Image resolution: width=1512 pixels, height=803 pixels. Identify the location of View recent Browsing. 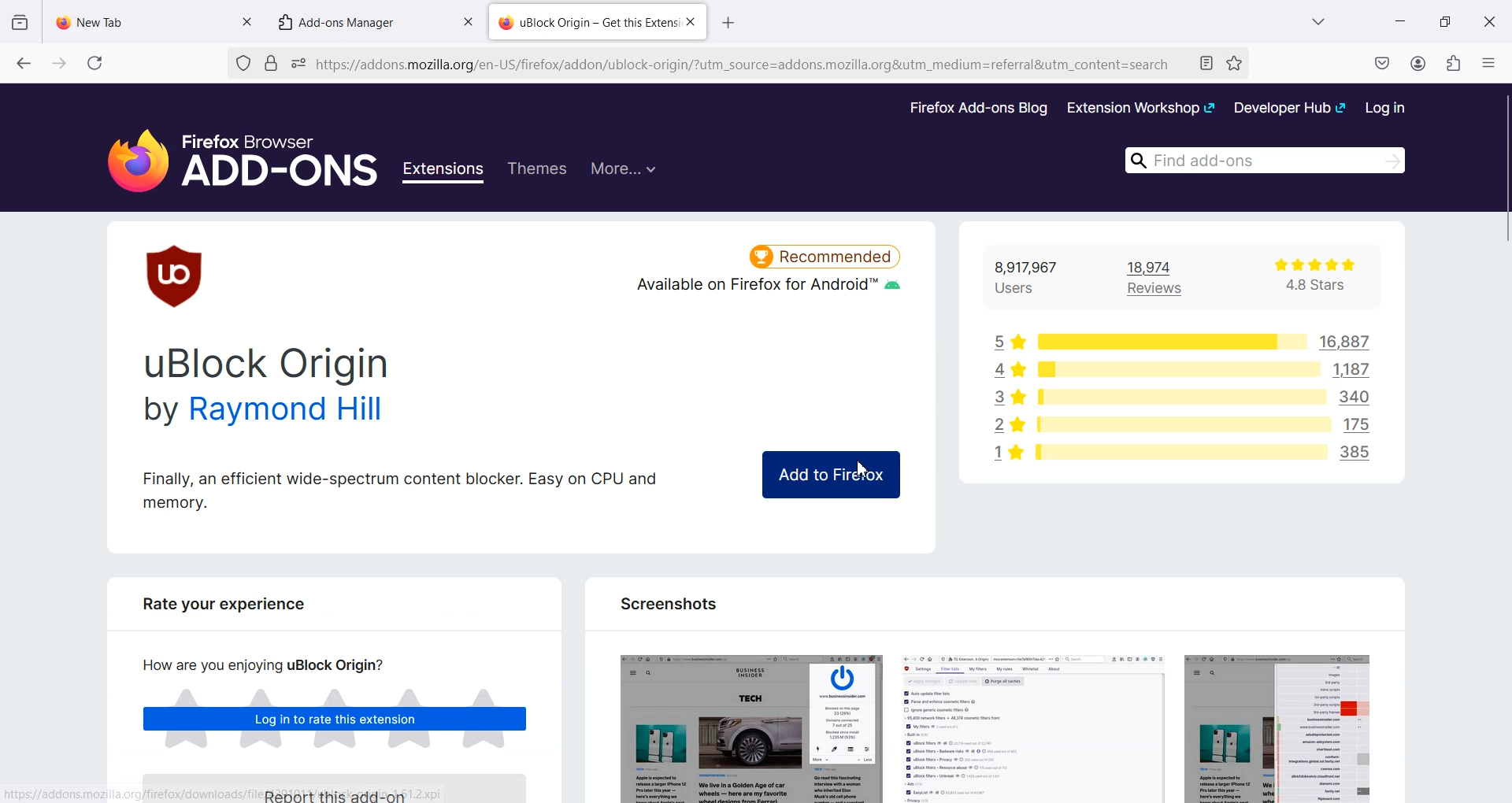
(20, 23).